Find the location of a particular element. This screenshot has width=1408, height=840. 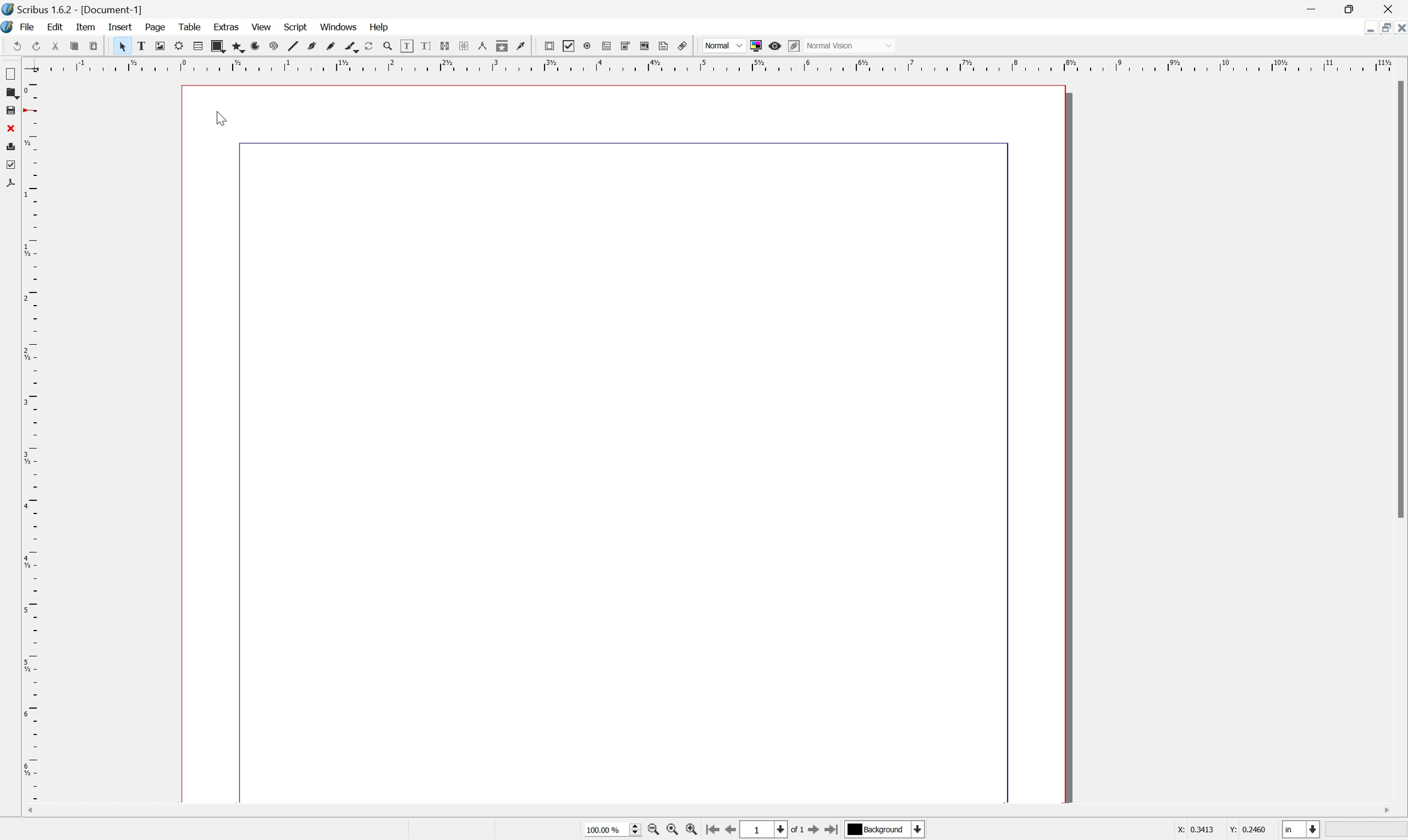

new is located at coordinates (18, 46).